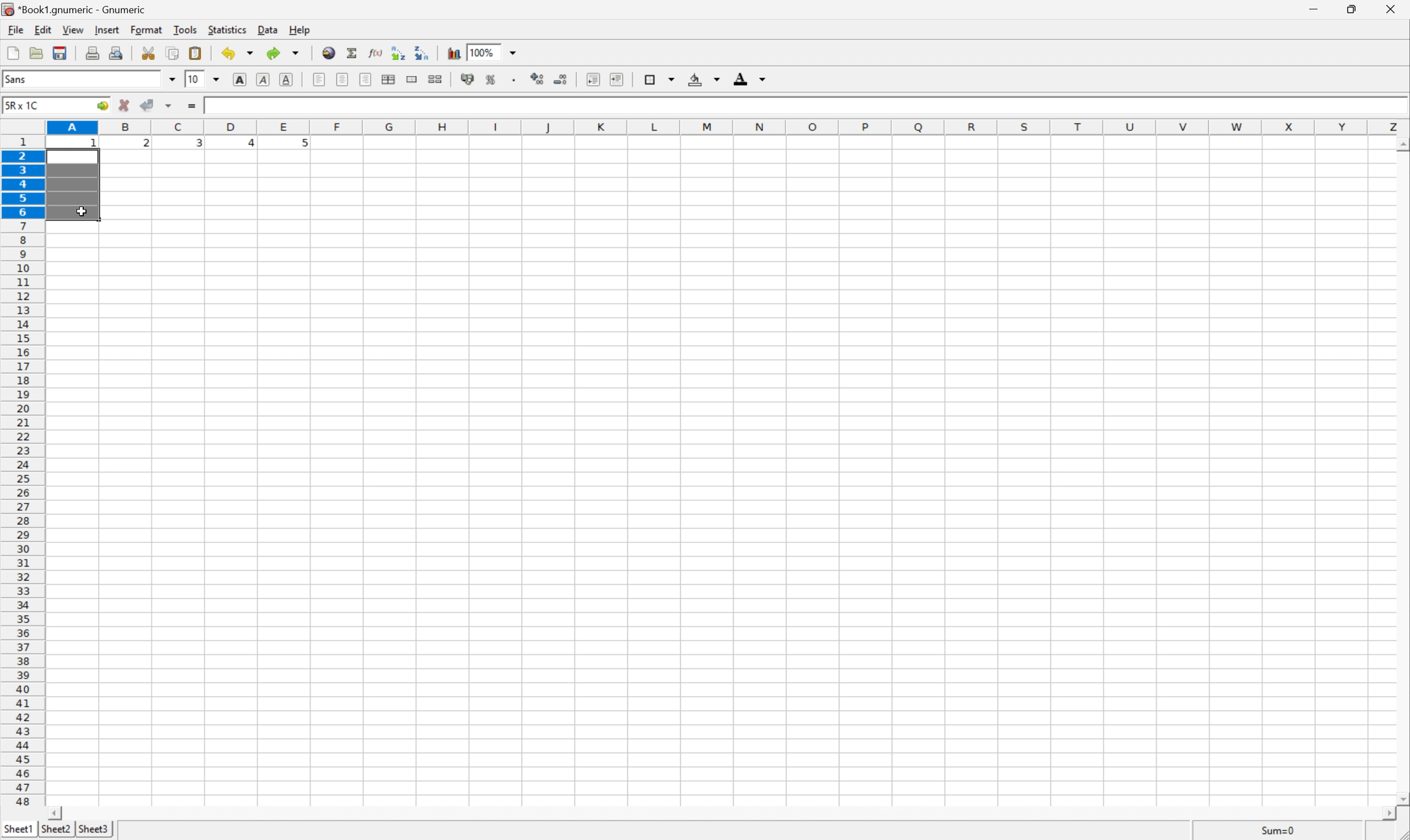 The height and width of the screenshot is (840, 1410). What do you see at coordinates (302, 145) in the screenshot?
I see `5` at bounding box center [302, 145].